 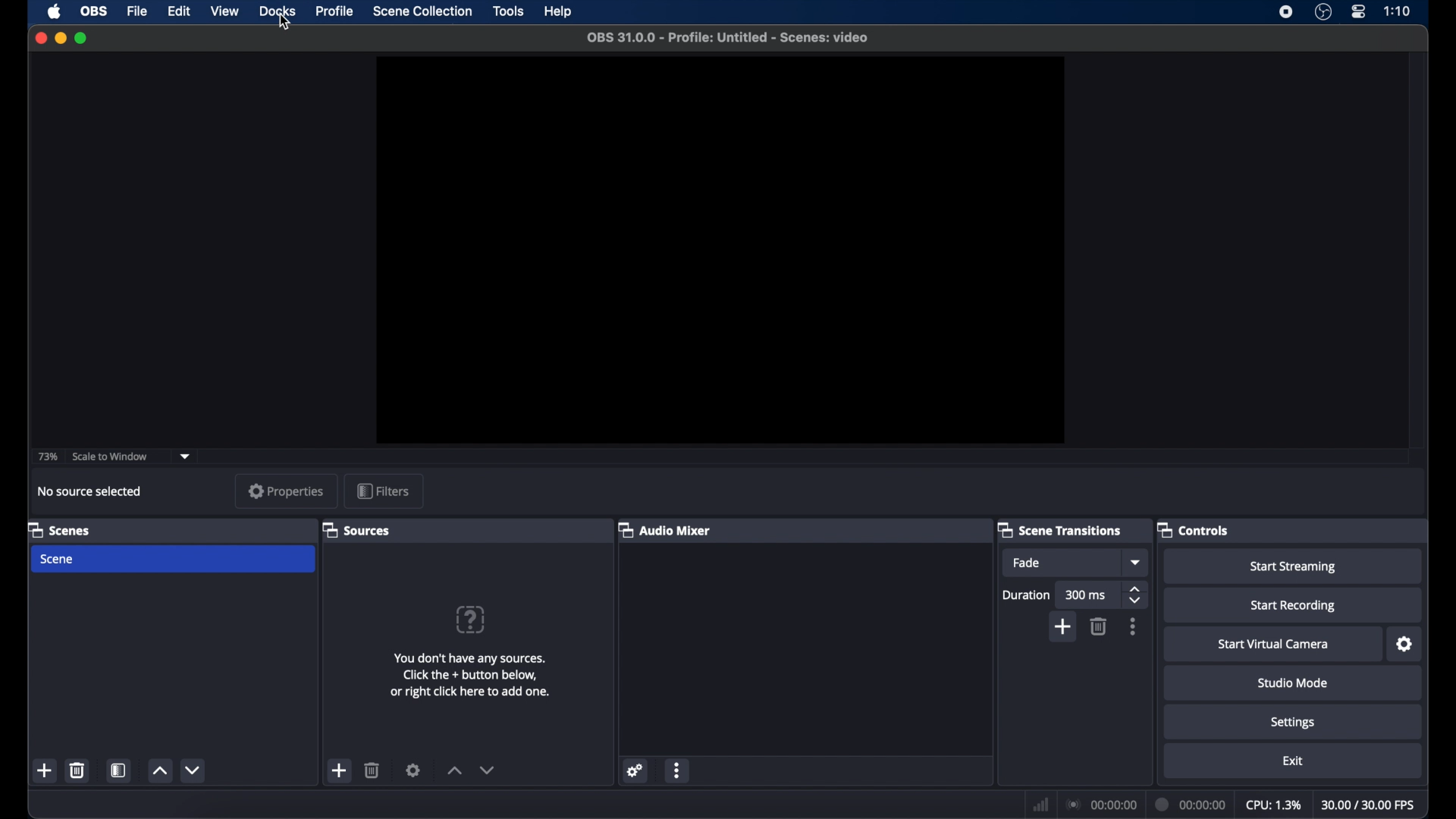 What do you see at coordinates (1369, 805) in the screenshot?
I see `fps` at bounding box center [1369, 805].